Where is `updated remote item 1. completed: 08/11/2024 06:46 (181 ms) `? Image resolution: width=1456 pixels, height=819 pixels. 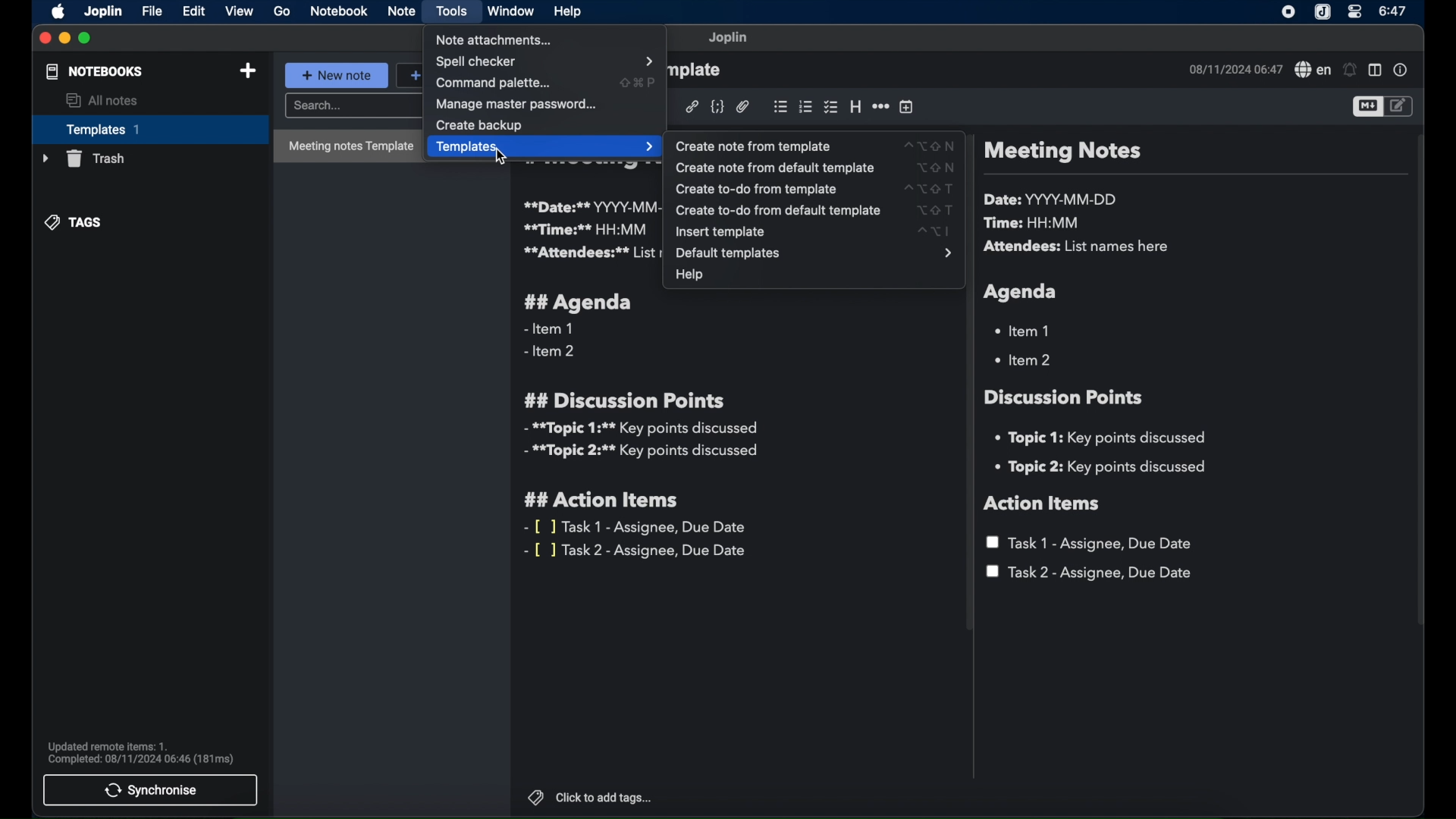 updated remote item 1. completed: 08/11/2024 06:46 (181 ms)  is located at coordinates (143, 752).